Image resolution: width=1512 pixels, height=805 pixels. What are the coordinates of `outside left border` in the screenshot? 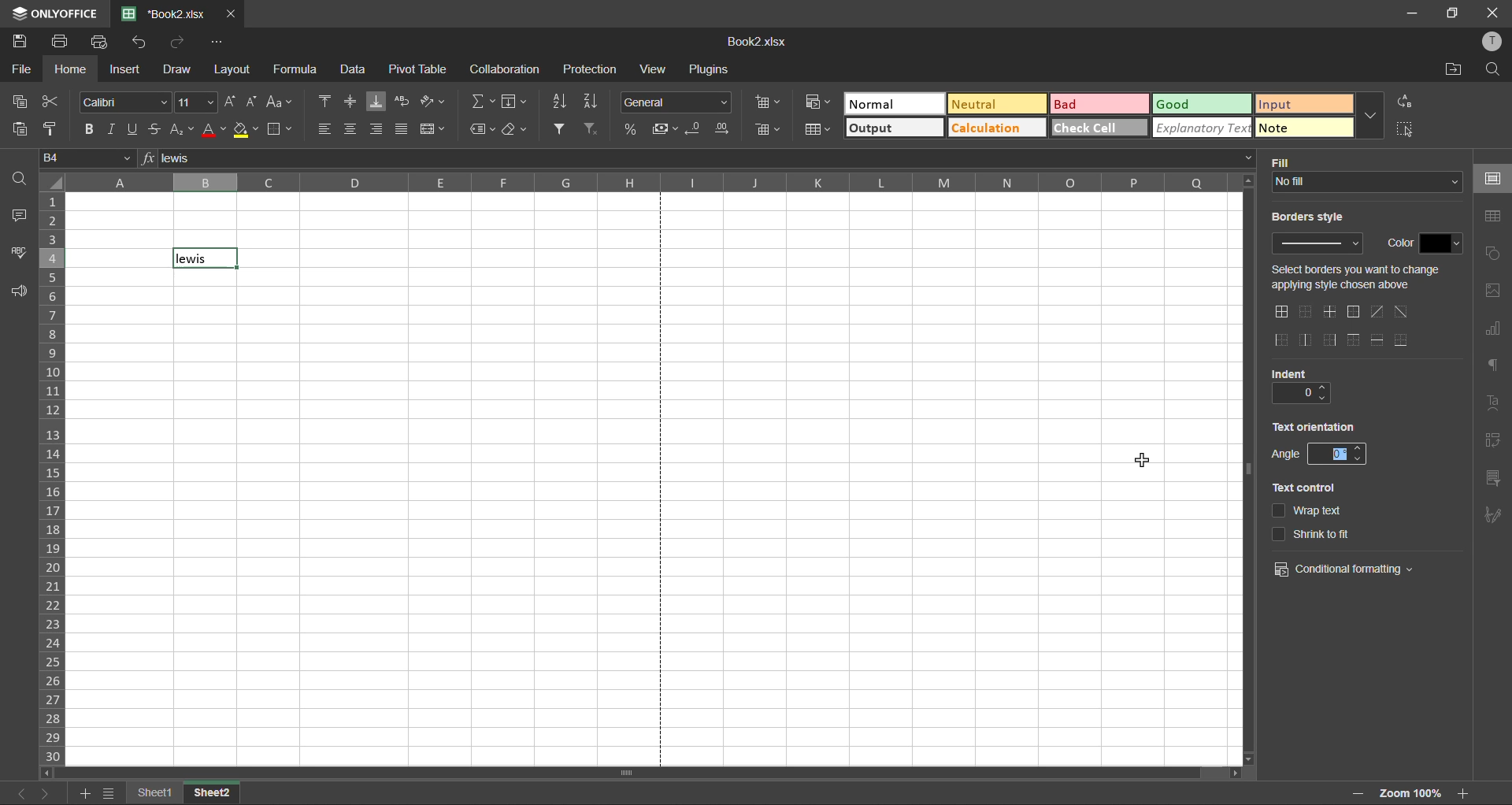 It's located at (1281, 341).